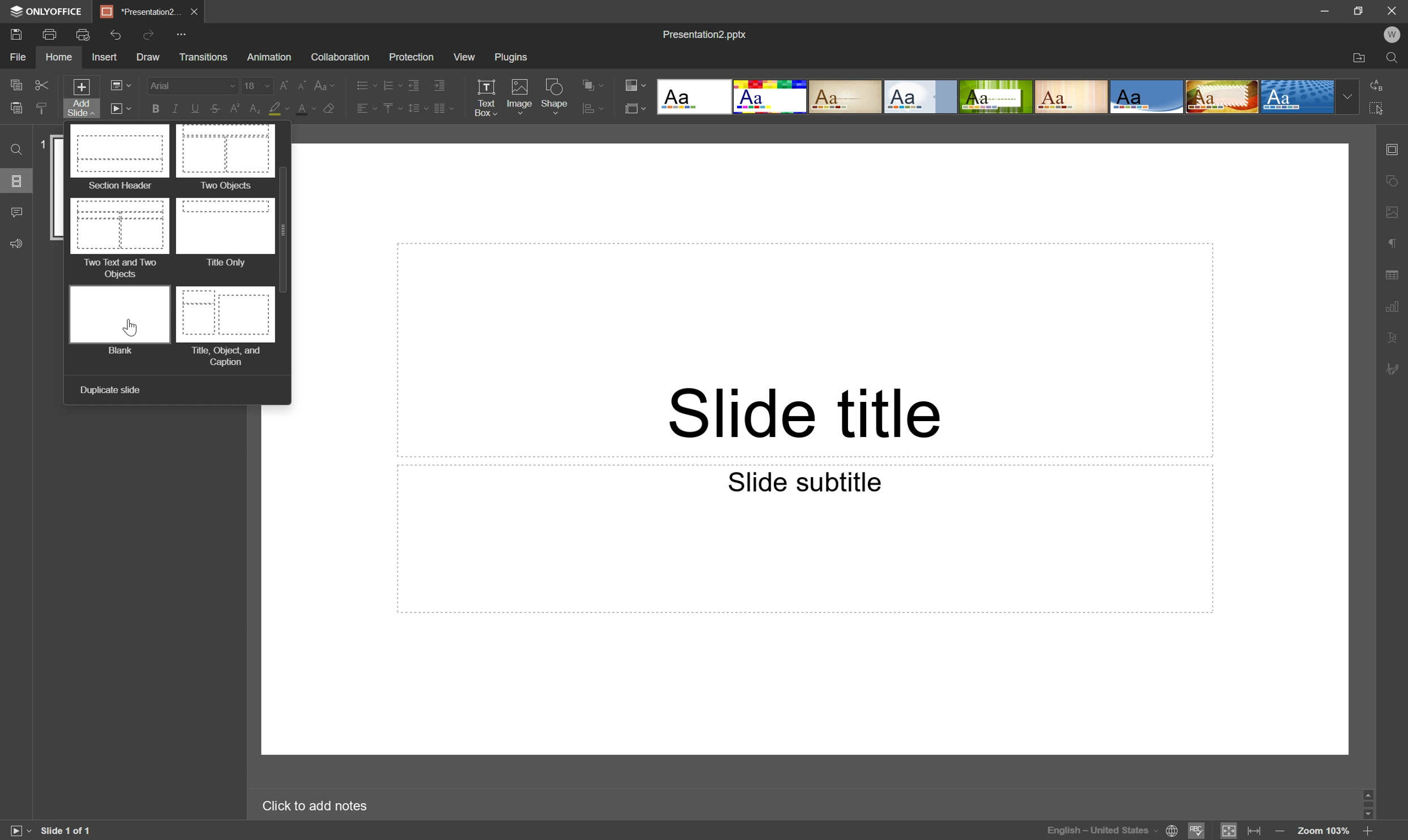  Describe the element at coordinates (595, 82) in the screenshot. I see `Align shape` at that location.